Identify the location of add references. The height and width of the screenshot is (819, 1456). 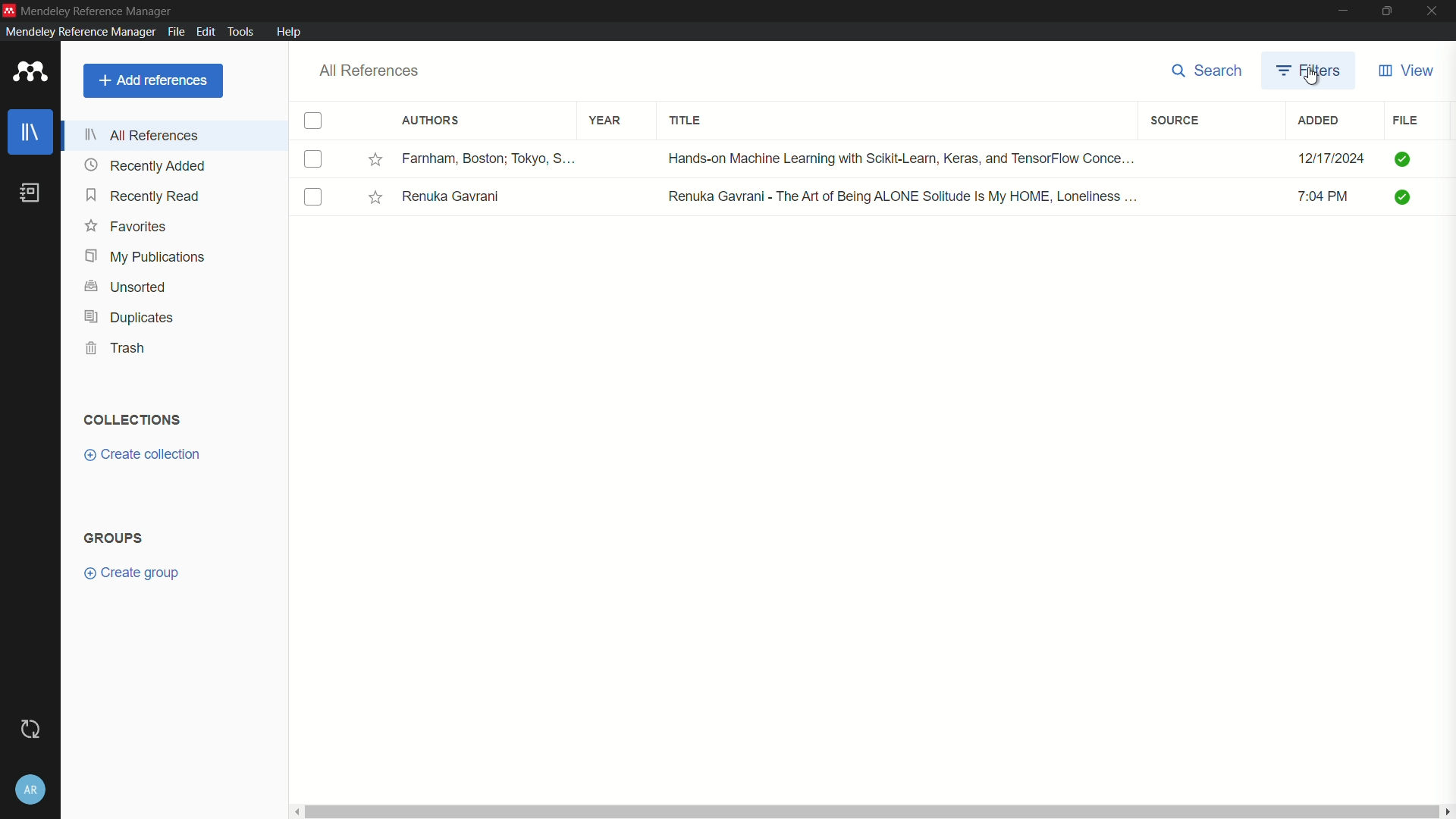
(154, 80).